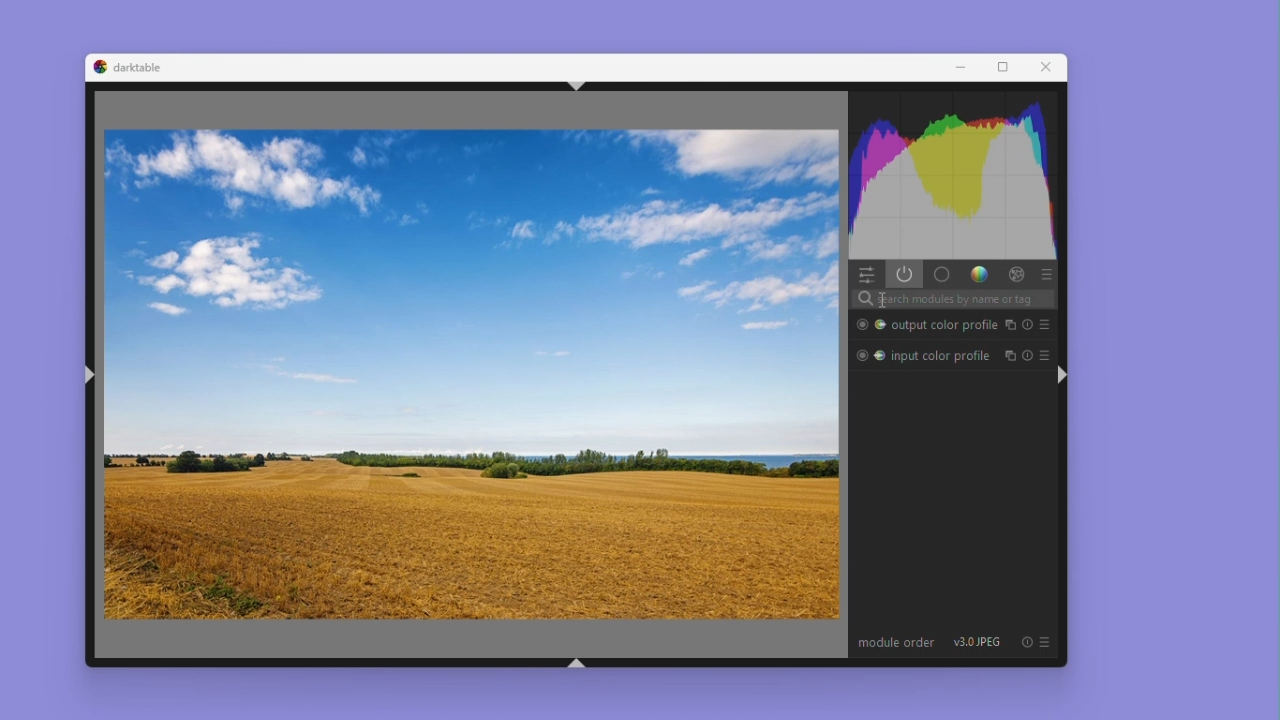  What do you see at coordinates (1046, 643) in the screenshot?
I see `preset` at bounding box center [1046, 643].